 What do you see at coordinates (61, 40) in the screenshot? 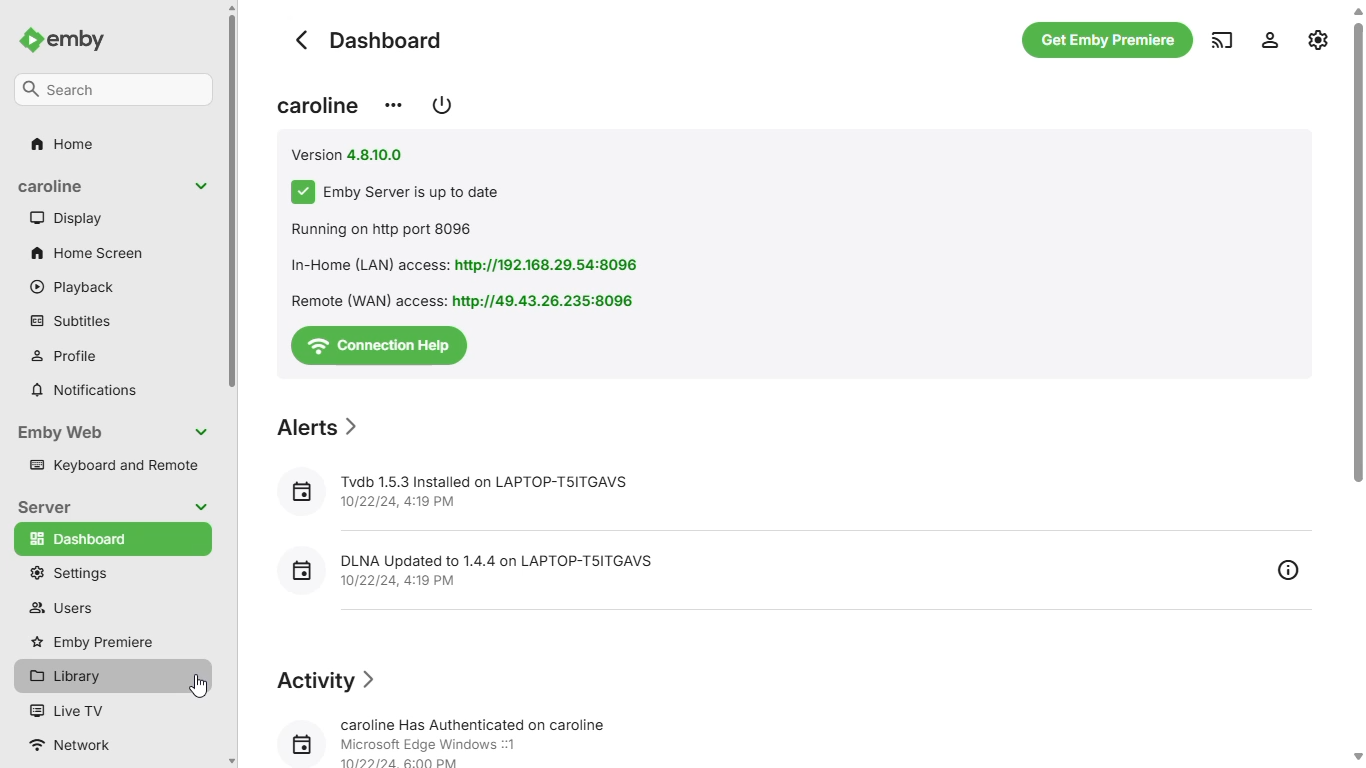
I see `emby` at bounding box center [61, 40].